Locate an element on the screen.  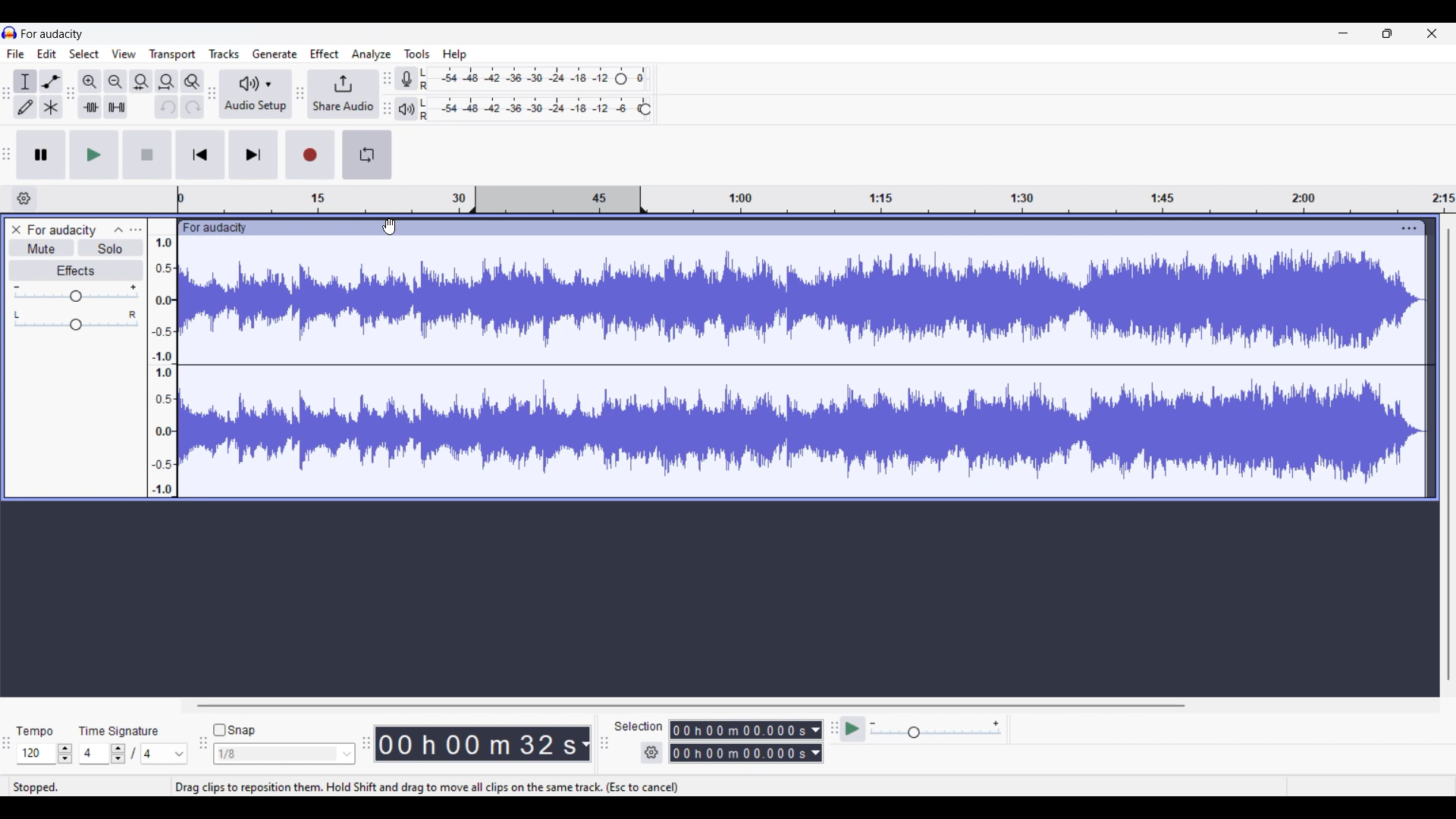
Snap toggle is located at coordinates (234, 730).